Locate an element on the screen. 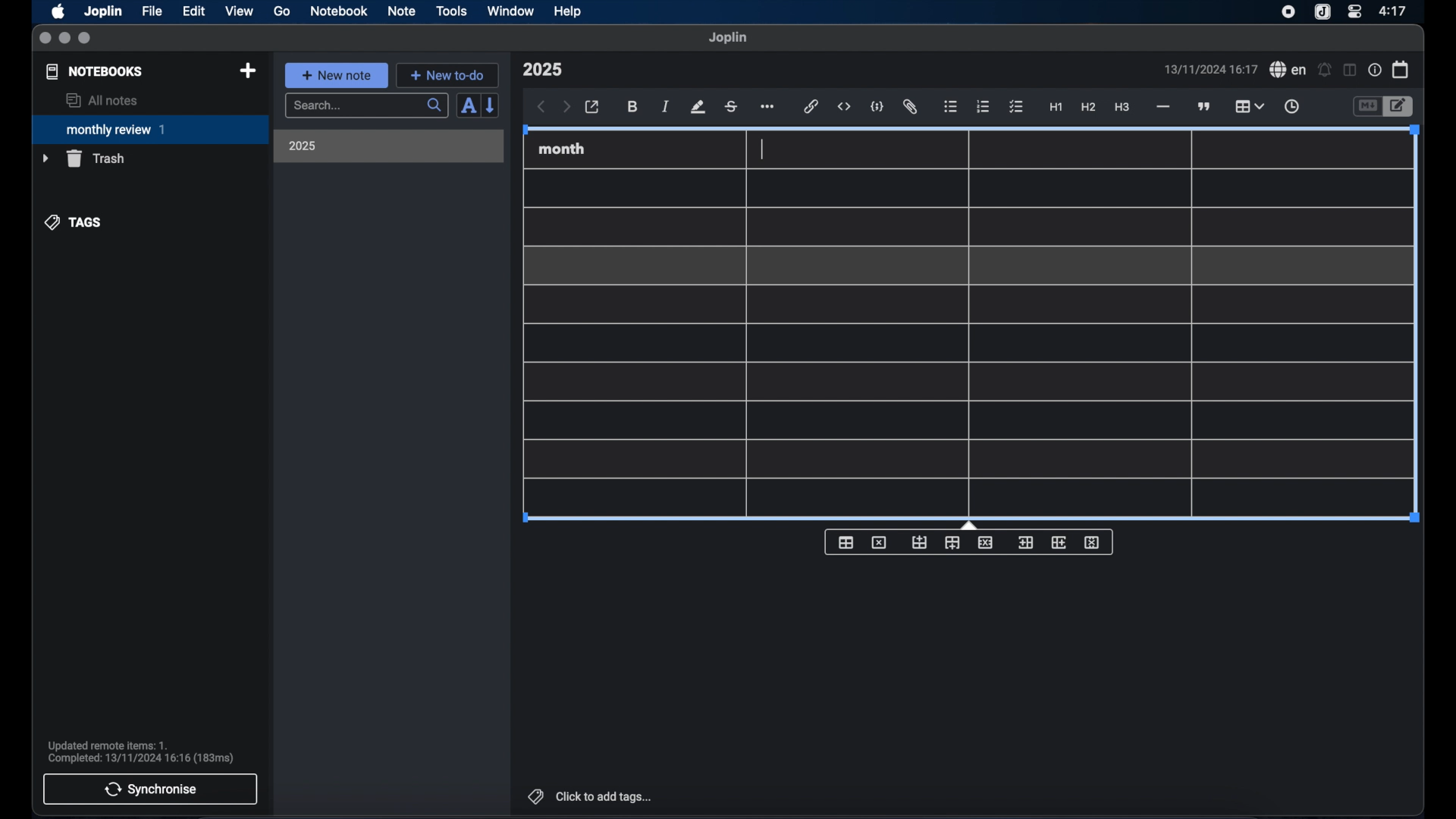 This screenshot has height=819, width=1456. delete column is located at coordinates (1093, 543).